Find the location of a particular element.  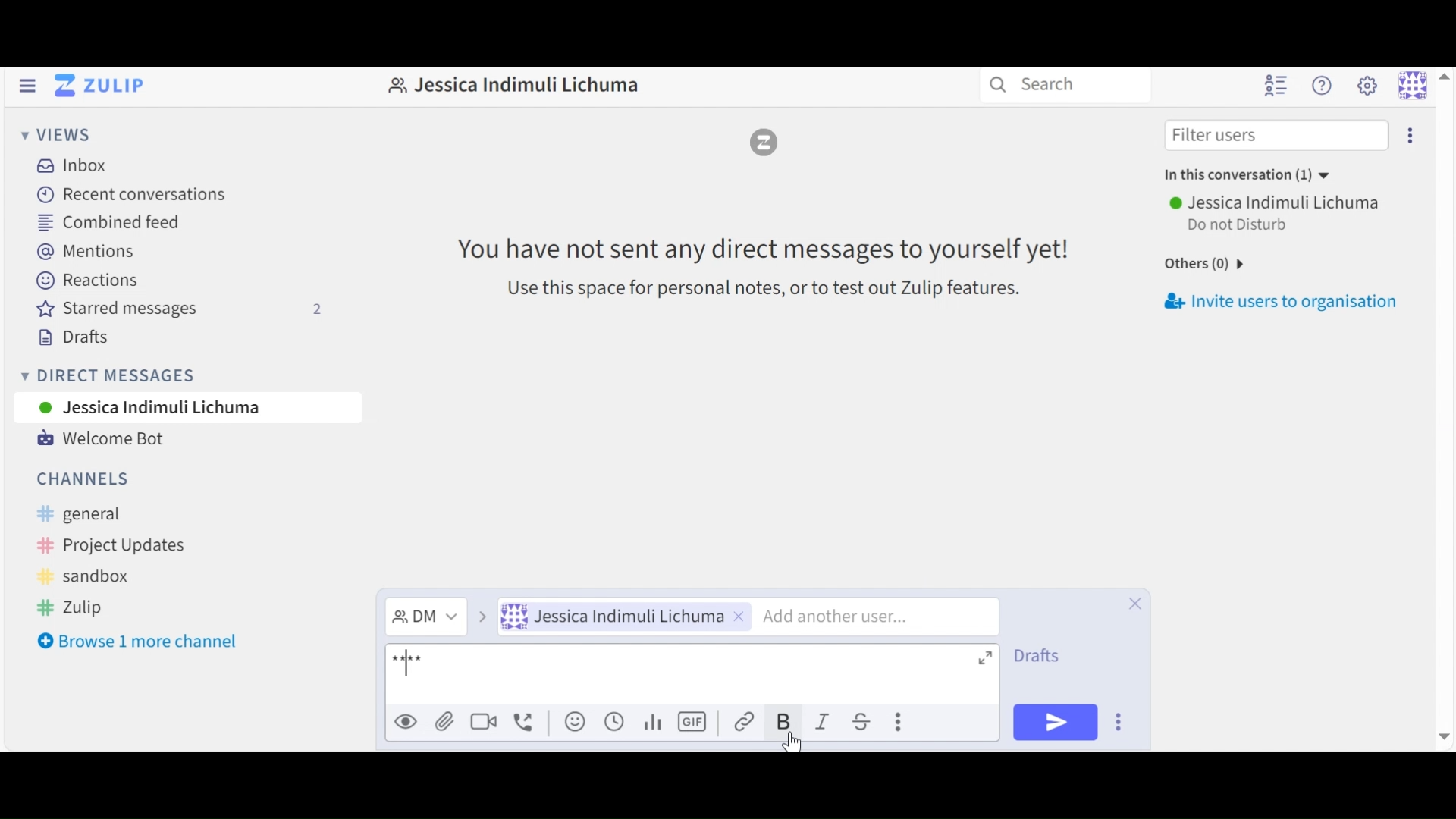

Drafts is located at coordinates (1038, 657).